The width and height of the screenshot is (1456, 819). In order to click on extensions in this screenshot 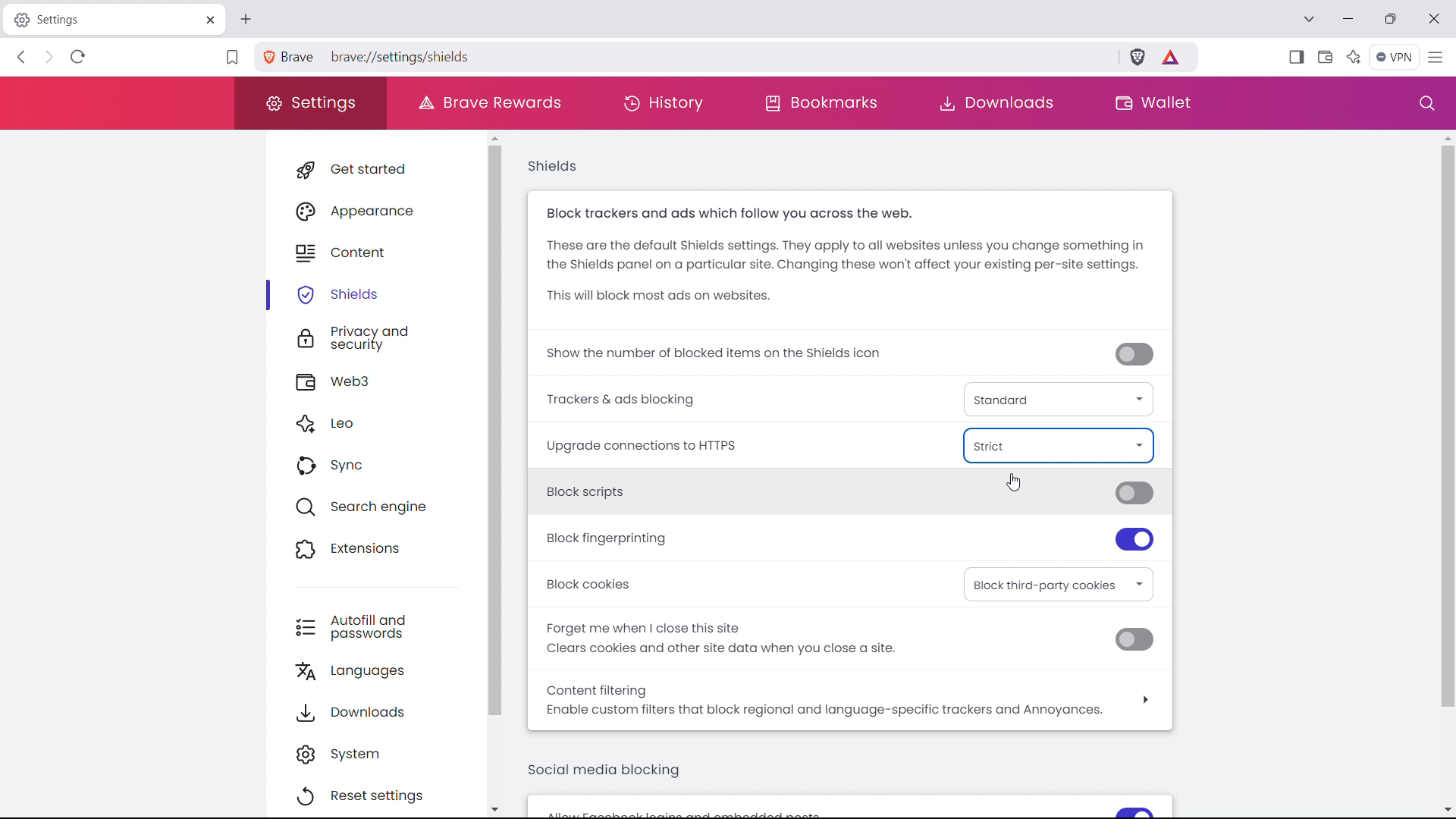, I will do `click(384, 547)`.